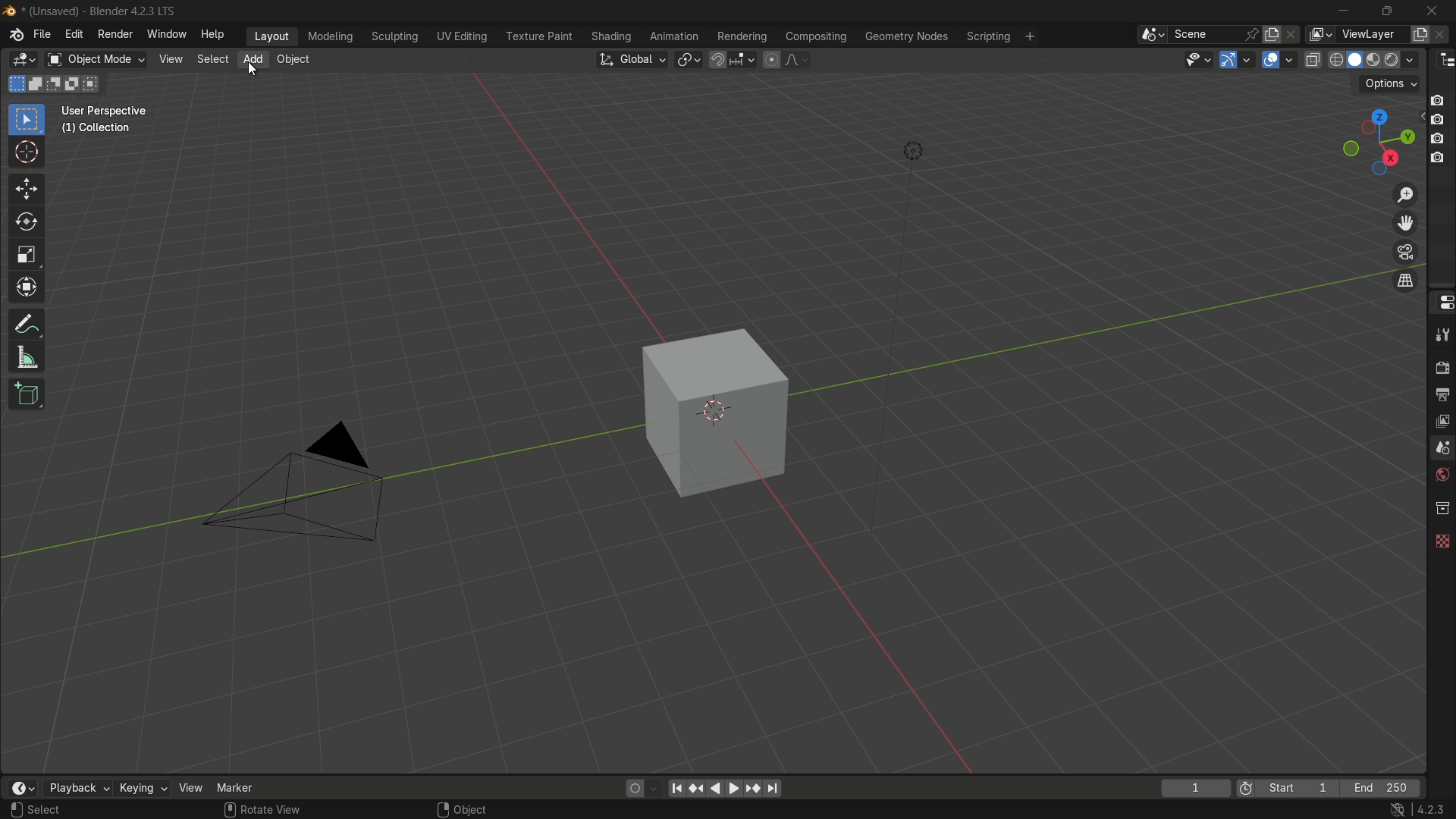  What do you see at coordinates (1030, 37) in the screenshot?
I see `add workplace` at bounding box center [1030, 37].